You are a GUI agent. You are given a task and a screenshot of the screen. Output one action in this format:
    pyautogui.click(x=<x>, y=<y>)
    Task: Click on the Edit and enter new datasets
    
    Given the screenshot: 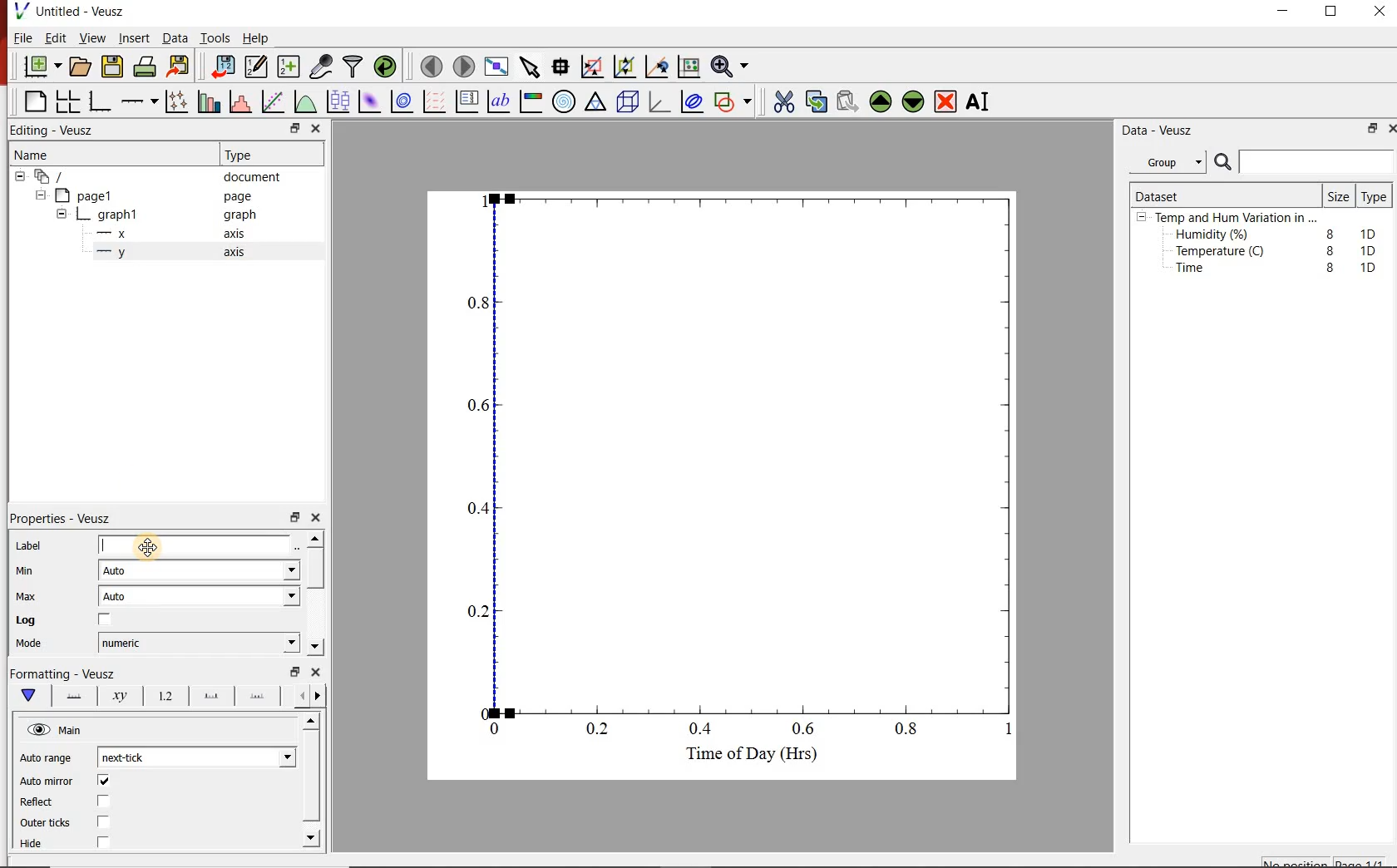 What is the action you would take?
    pyautogui.click(x=257, y=67)
    